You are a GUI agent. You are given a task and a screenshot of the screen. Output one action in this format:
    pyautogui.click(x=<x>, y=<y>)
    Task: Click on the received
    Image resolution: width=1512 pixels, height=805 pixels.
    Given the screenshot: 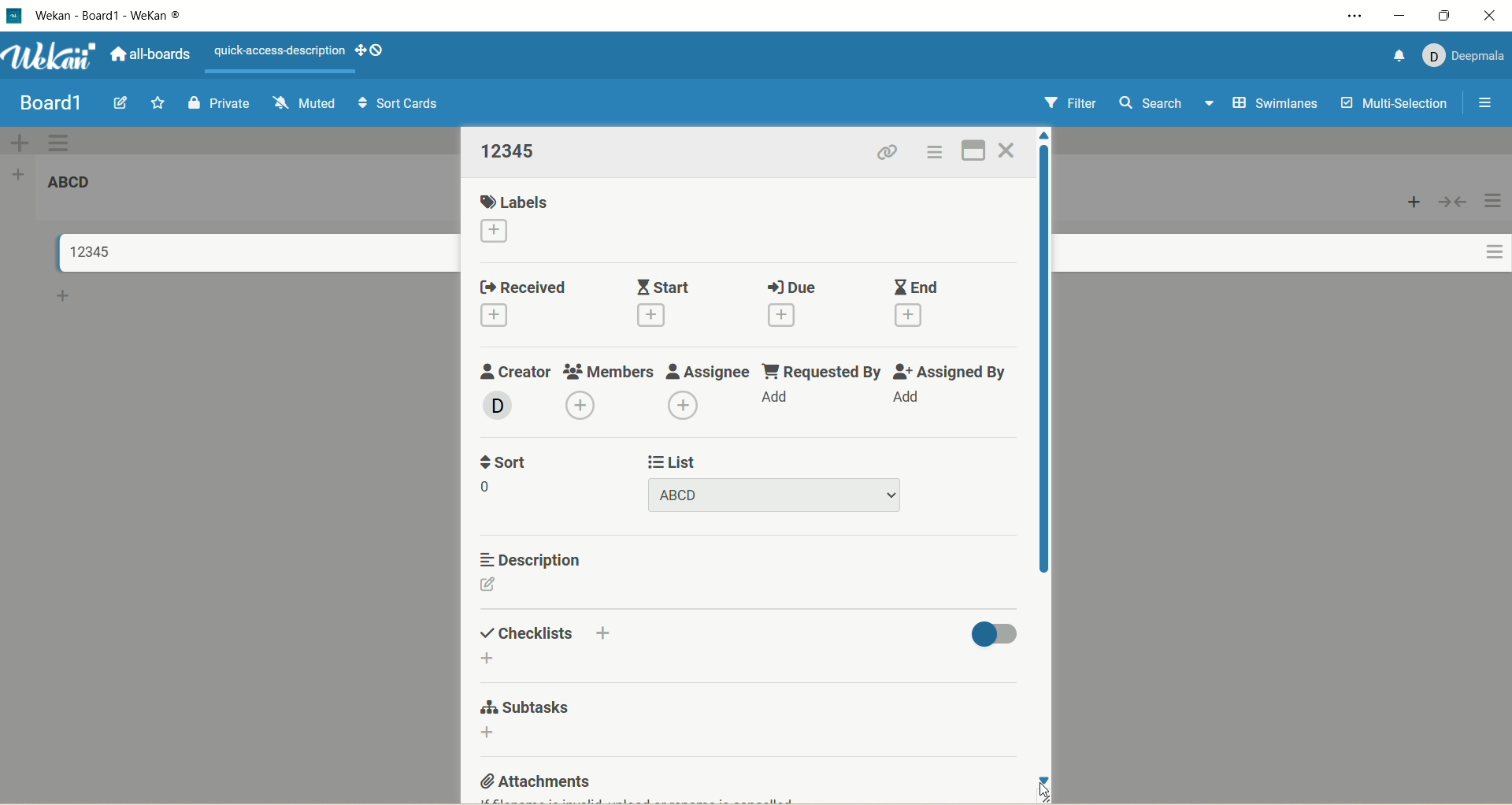 What is the action you would take?
    pyautogui.click(x=524, y=286)
    